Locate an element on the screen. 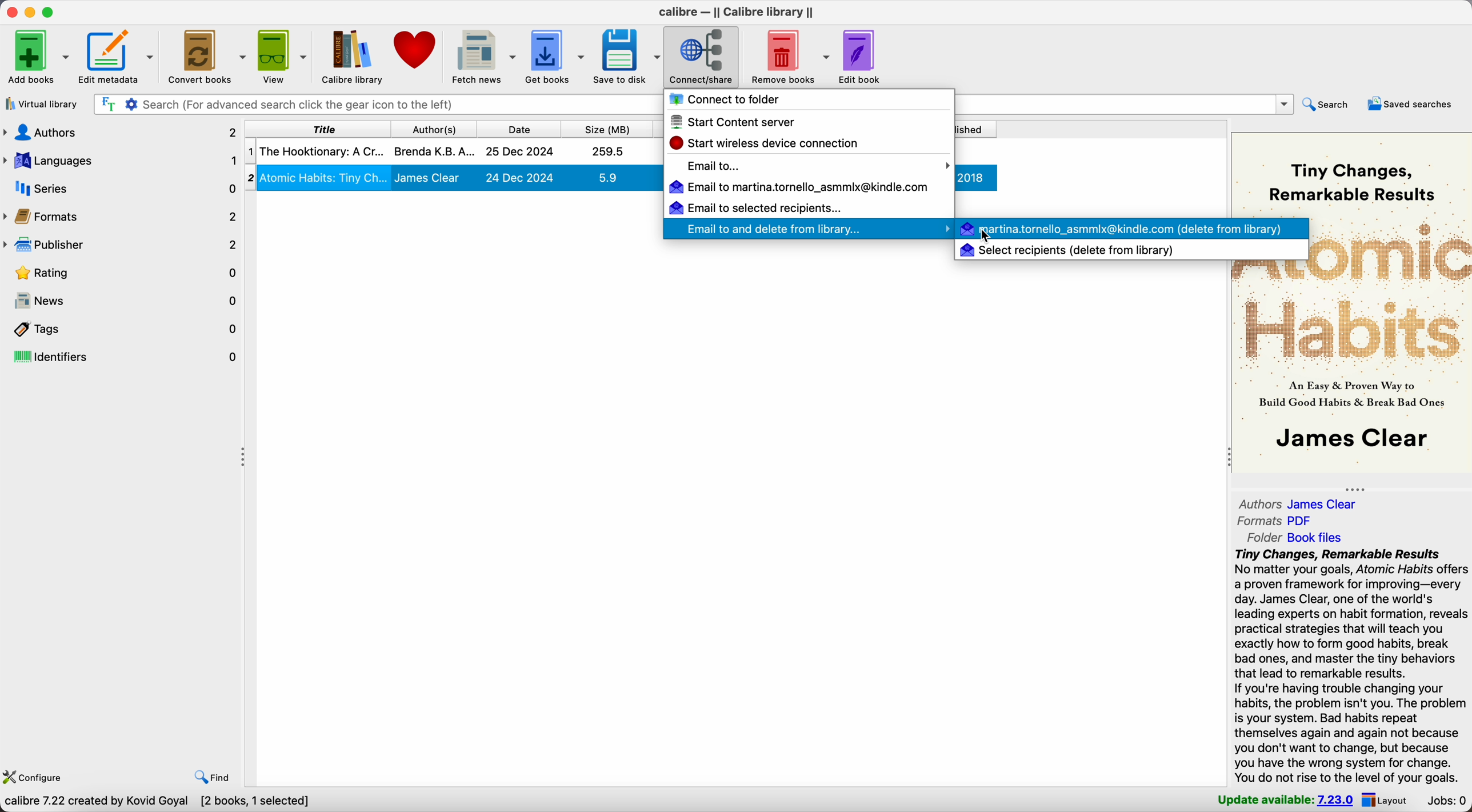  folder is located at coordinates (1290, 538).